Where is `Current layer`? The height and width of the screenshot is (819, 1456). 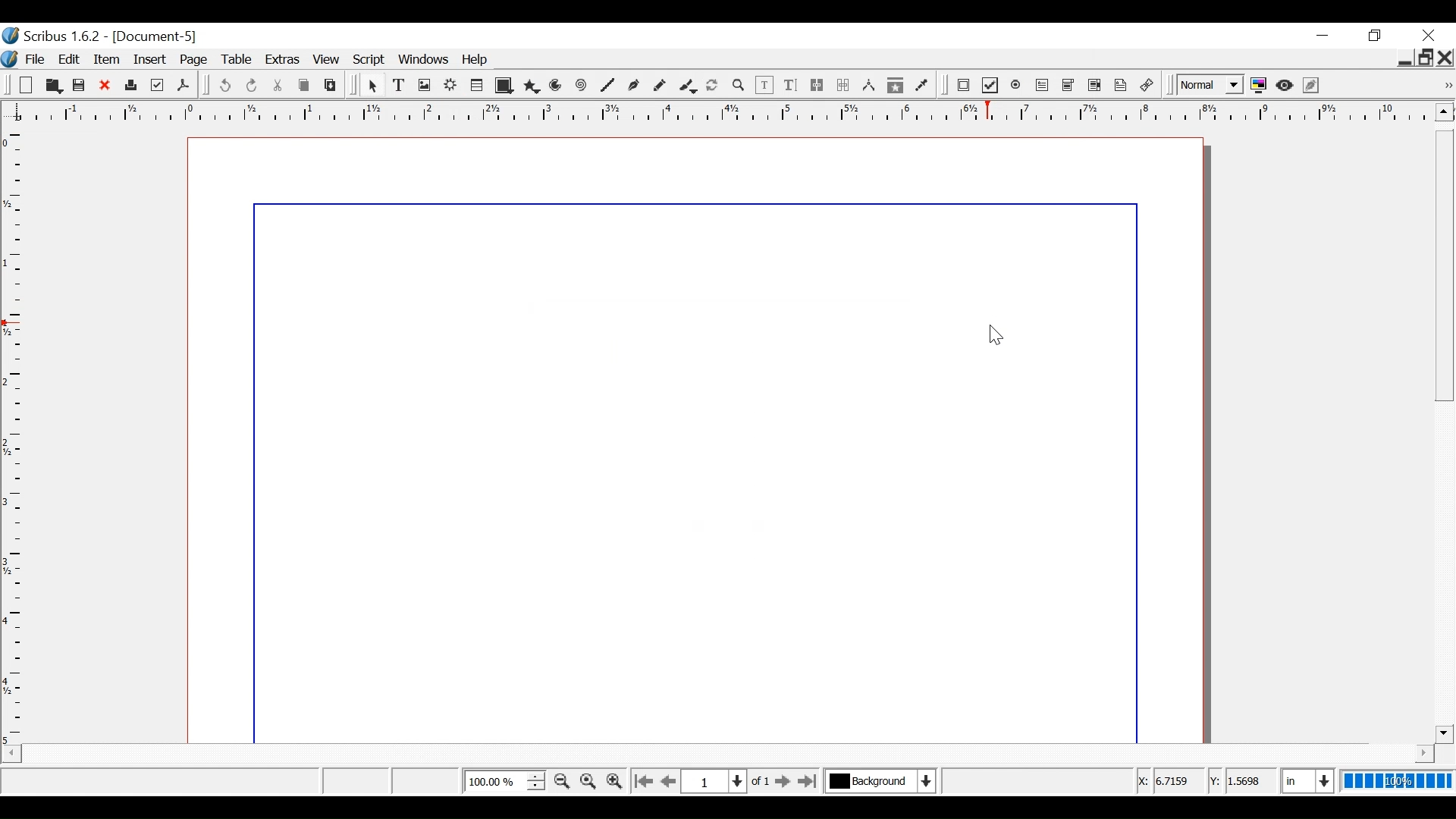 Current layer is located at coordinates (880, 780).